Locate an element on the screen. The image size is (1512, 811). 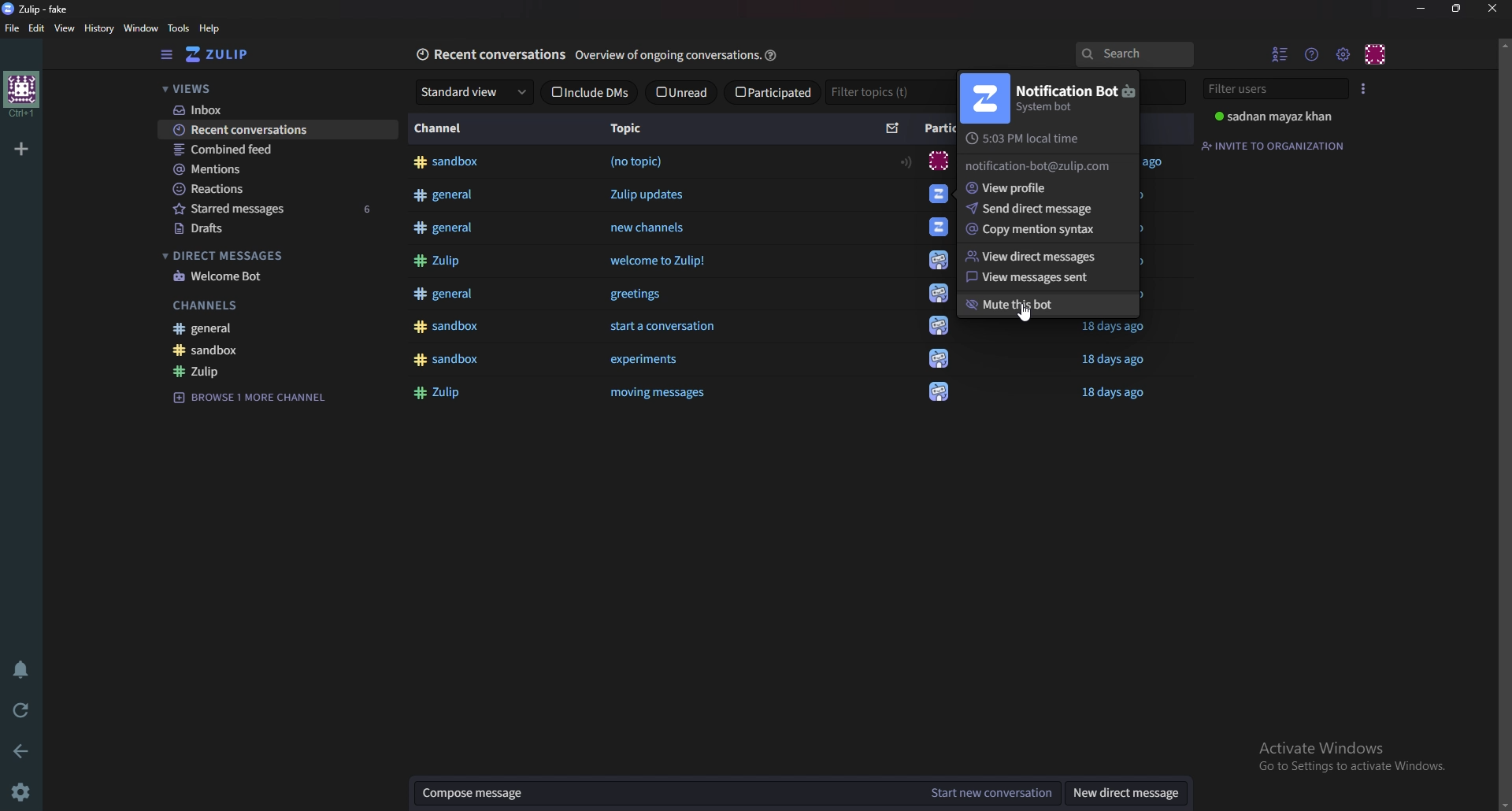
Sandbox is located at coordinates (262, 350).